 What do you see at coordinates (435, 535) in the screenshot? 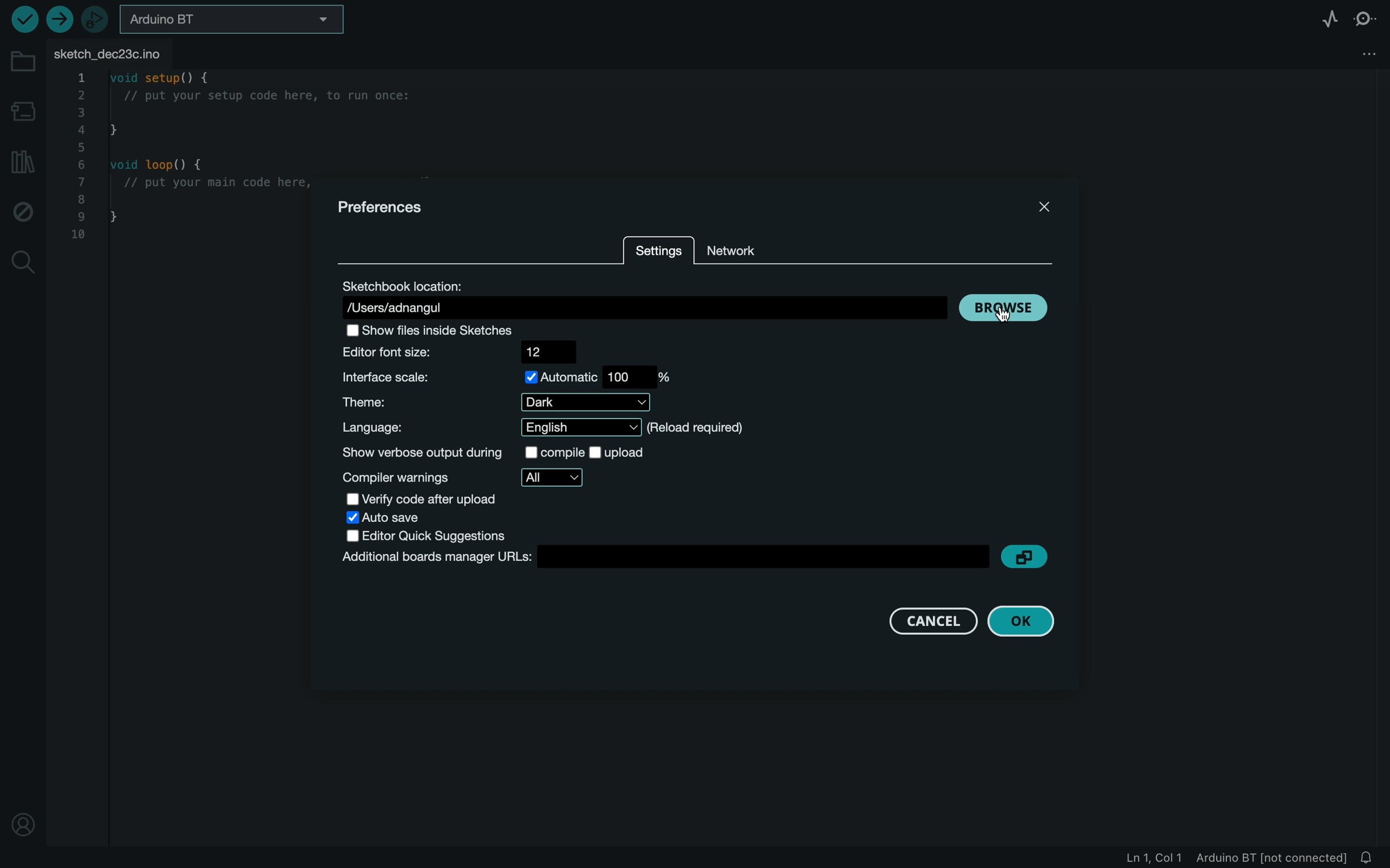
I see `editor quick suggestions ` at bounding box center [435, 535].